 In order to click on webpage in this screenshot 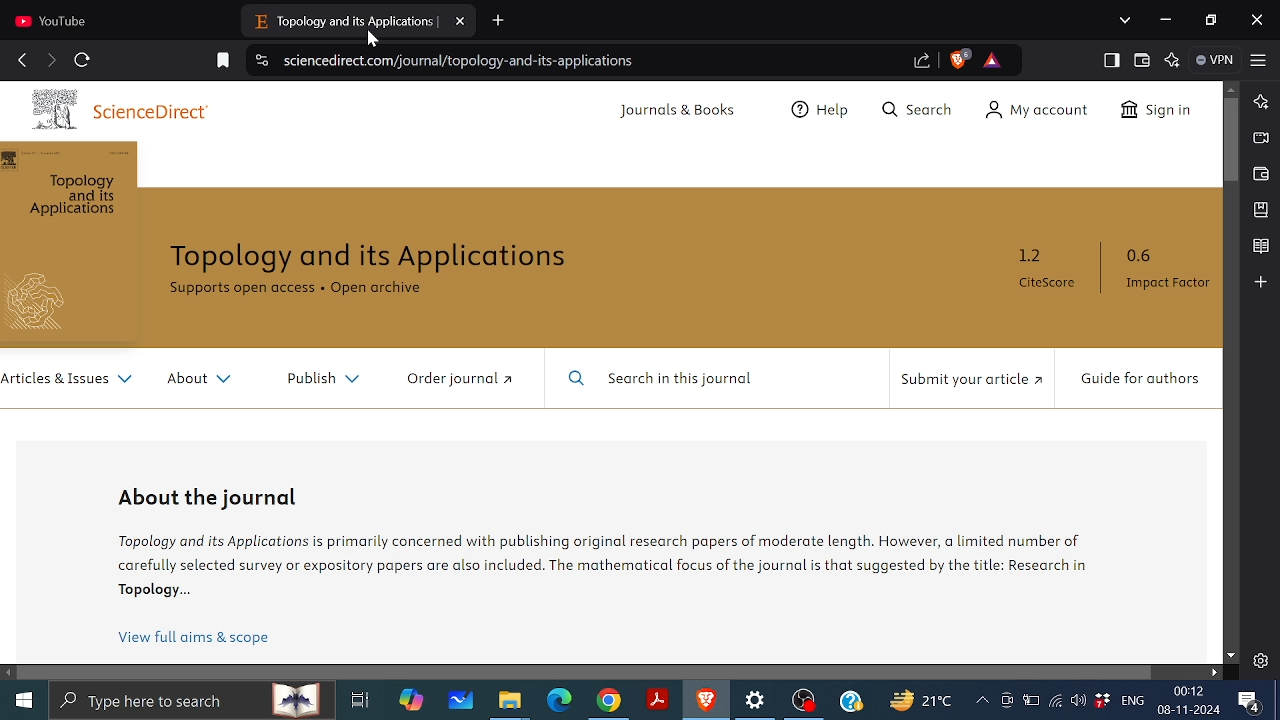, I will do `click(611, 372)`.